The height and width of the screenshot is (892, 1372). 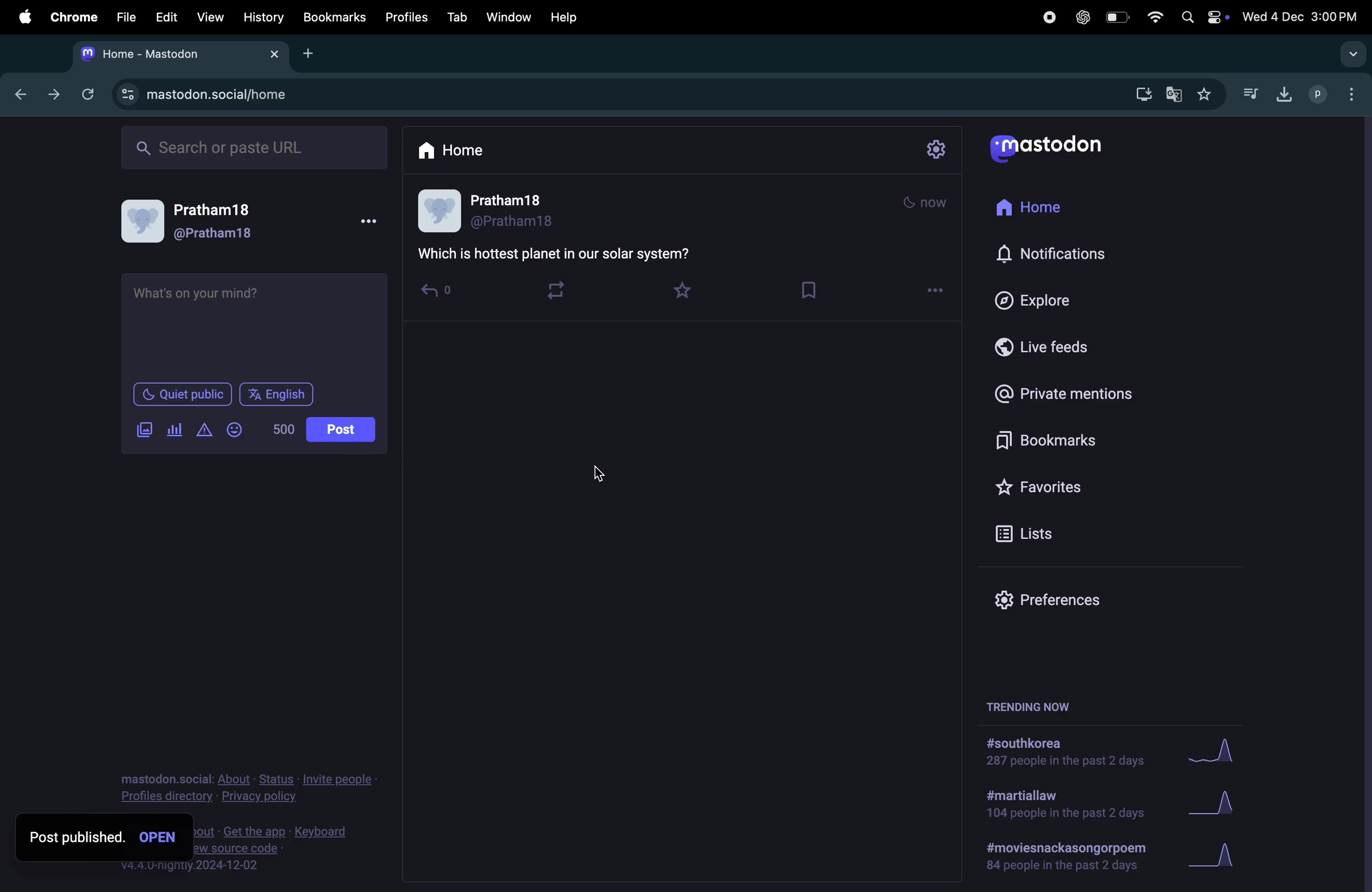 What do you see at coordinates (1081, 17) in the screenshot?
I see `` at bounding box center [1081, 17].